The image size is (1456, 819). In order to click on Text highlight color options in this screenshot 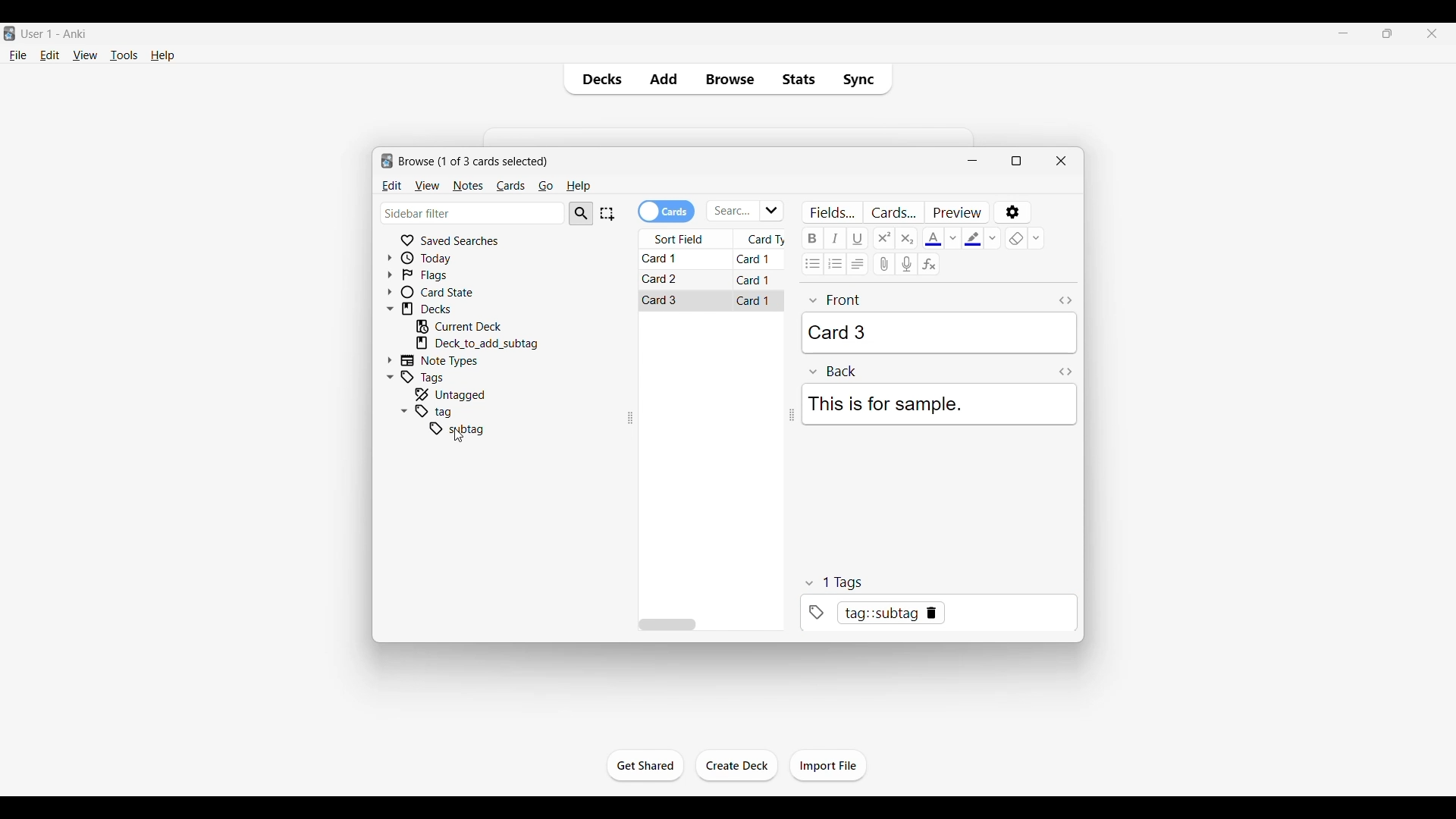, I will do `click(993, 238)`.